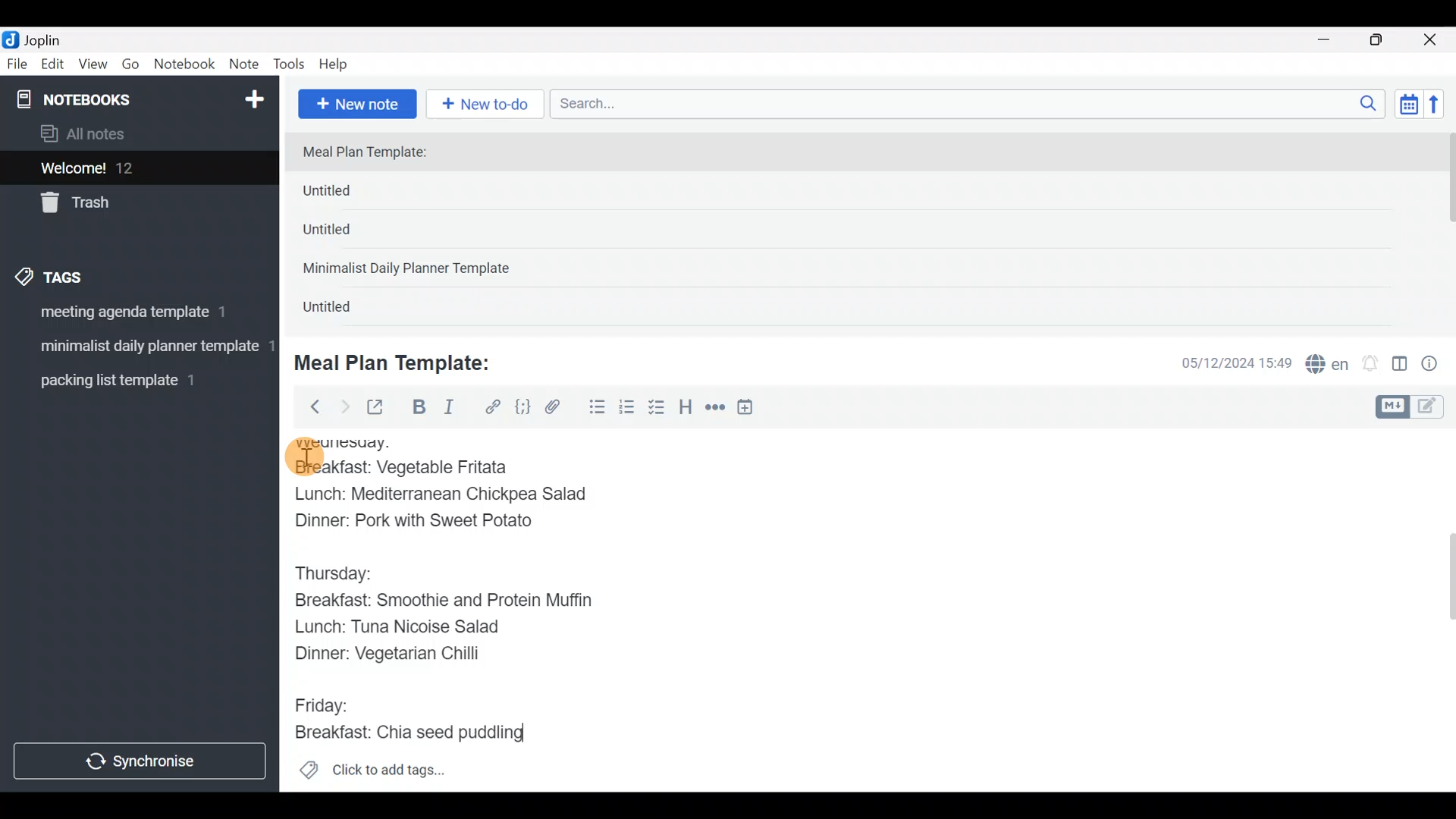  Describe the element at coordinates (53, 67) in the screenshot. I see `Edit` at that location.